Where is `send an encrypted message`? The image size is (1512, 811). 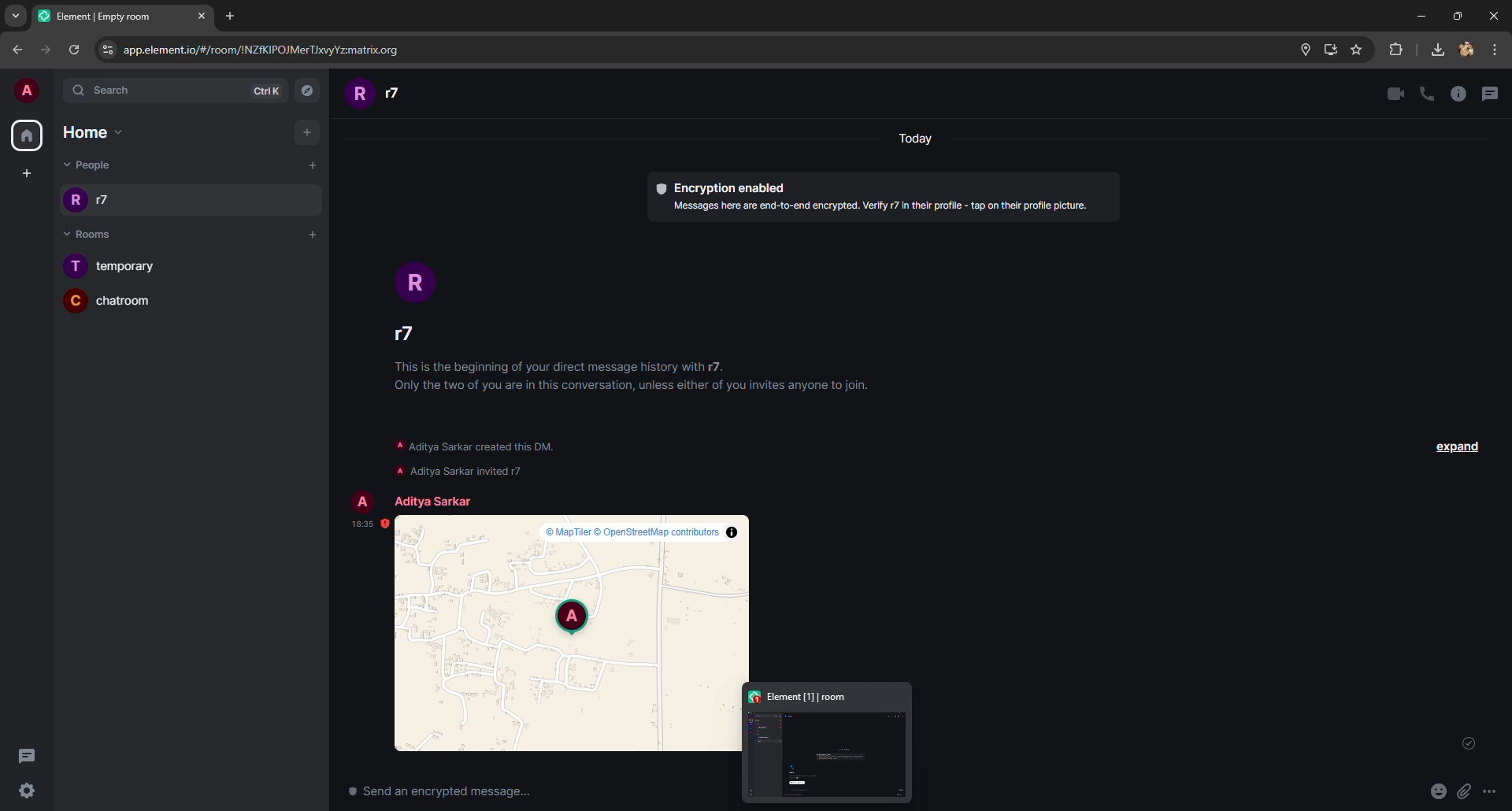
send an encrypted message is located at coordinates (437, 792).